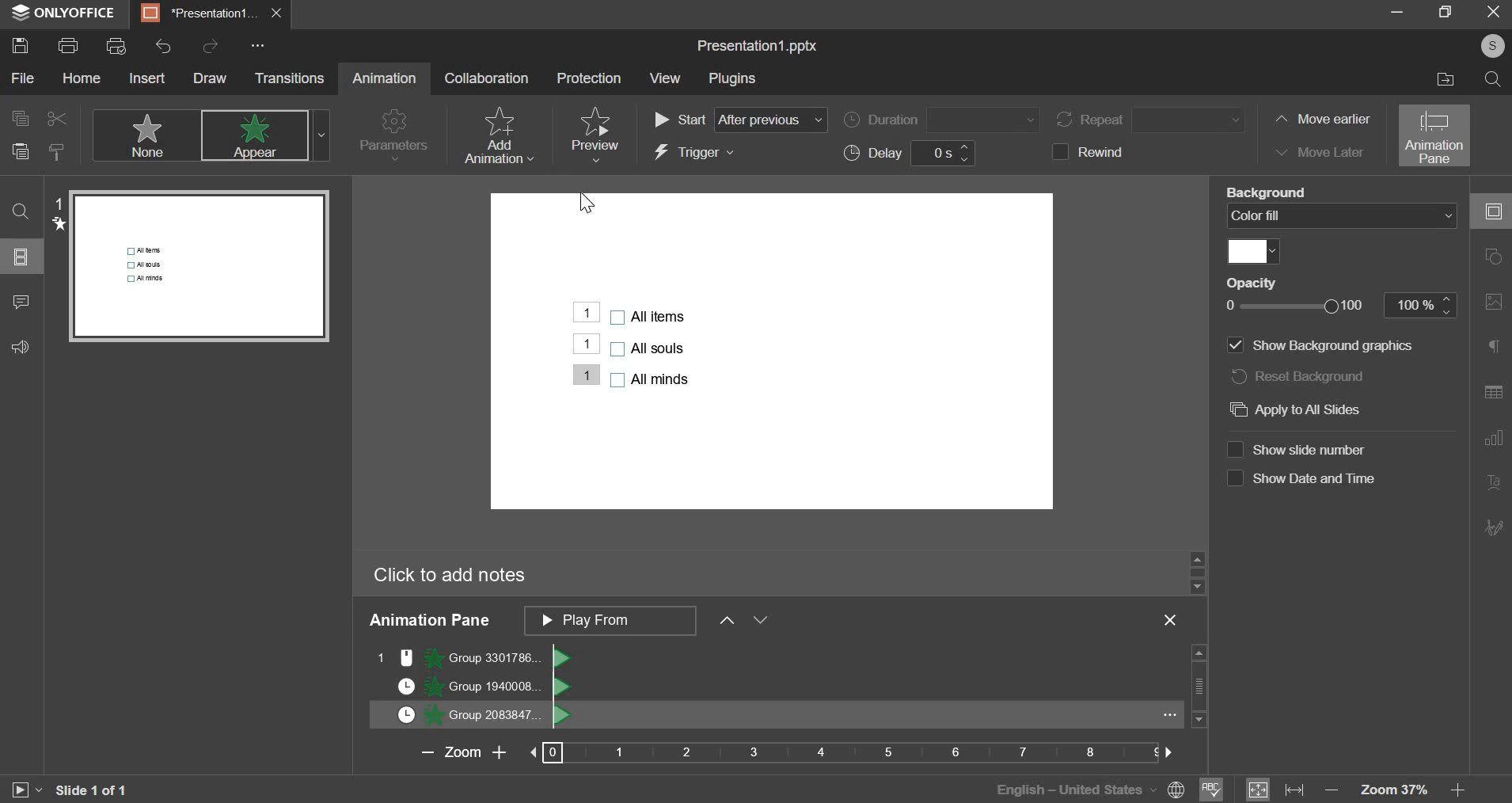  Describe the element at coordinates (24, 78) in the screenshot. I see `file` at that location.